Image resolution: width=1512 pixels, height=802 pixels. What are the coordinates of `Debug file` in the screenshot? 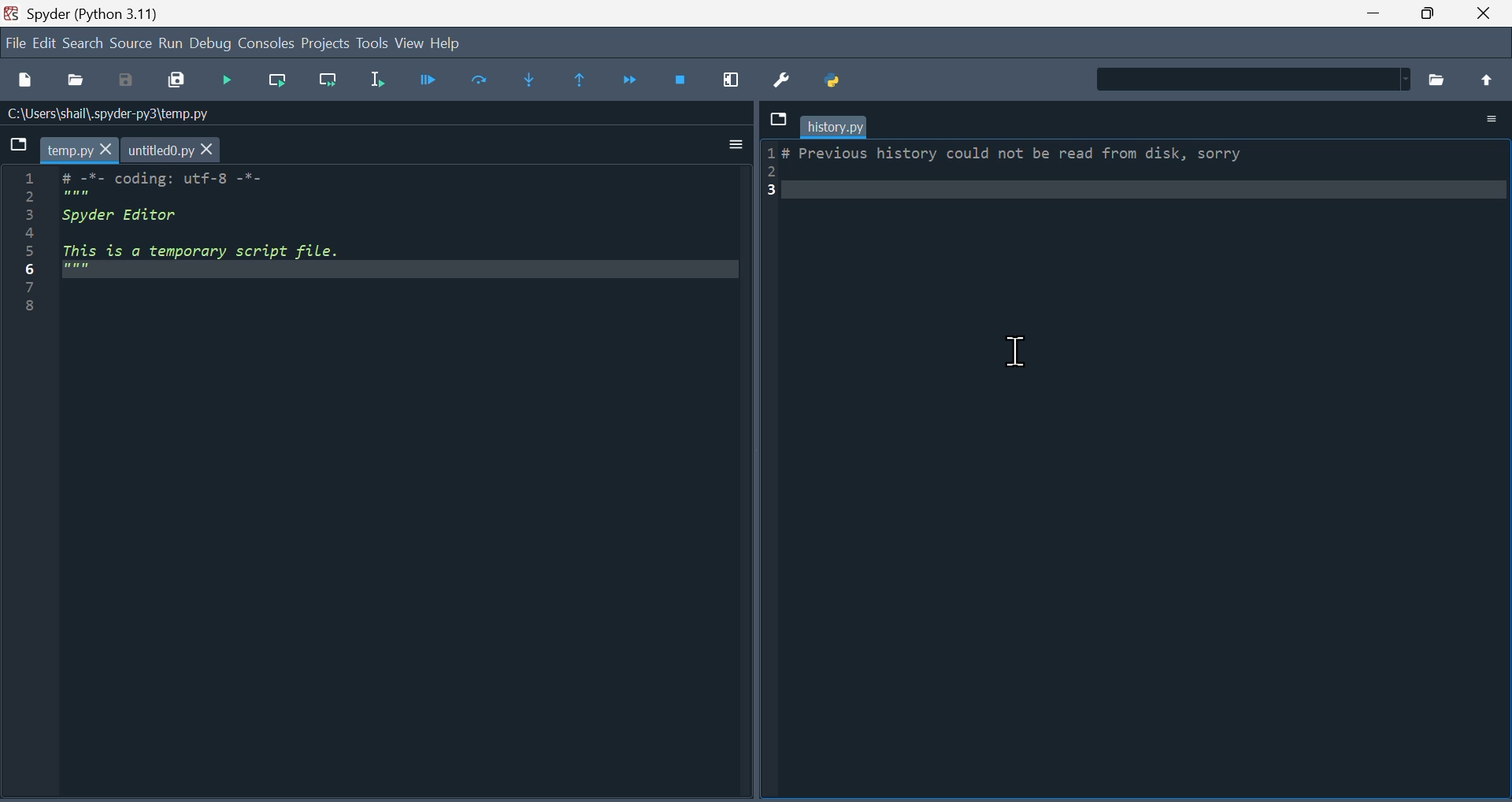 It's located at (439, 80).